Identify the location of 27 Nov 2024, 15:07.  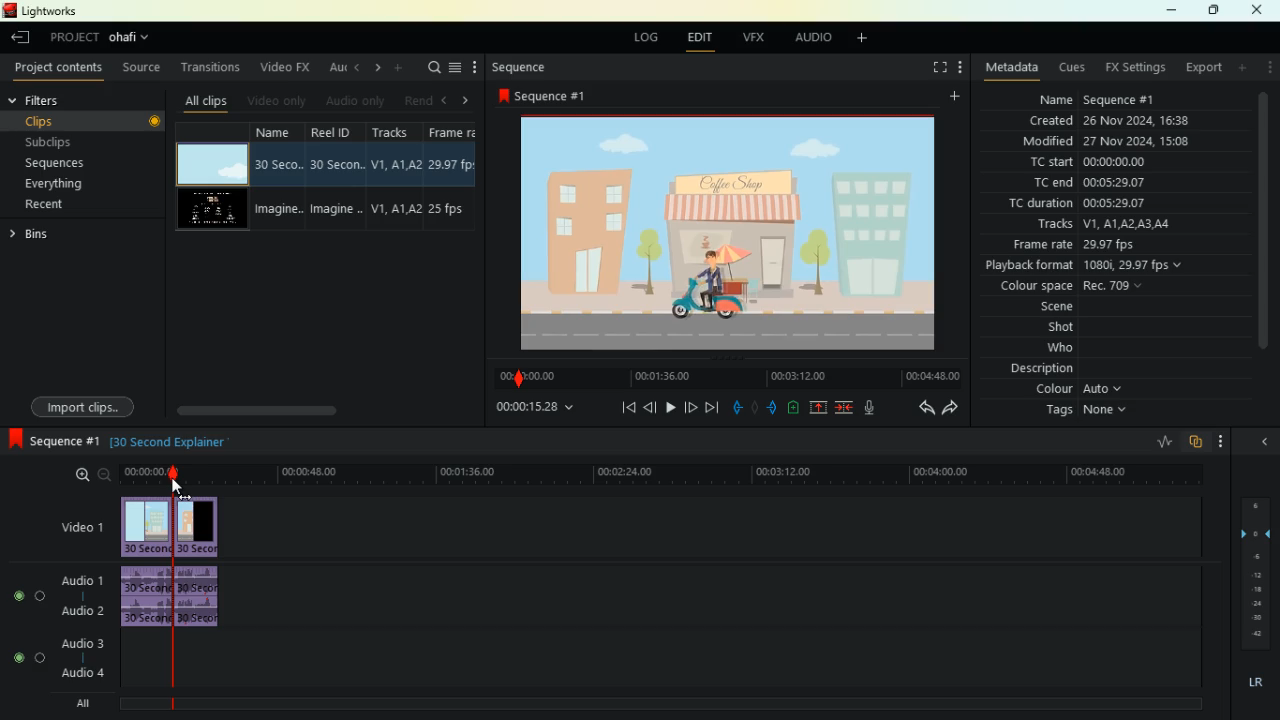
(1143, 141).